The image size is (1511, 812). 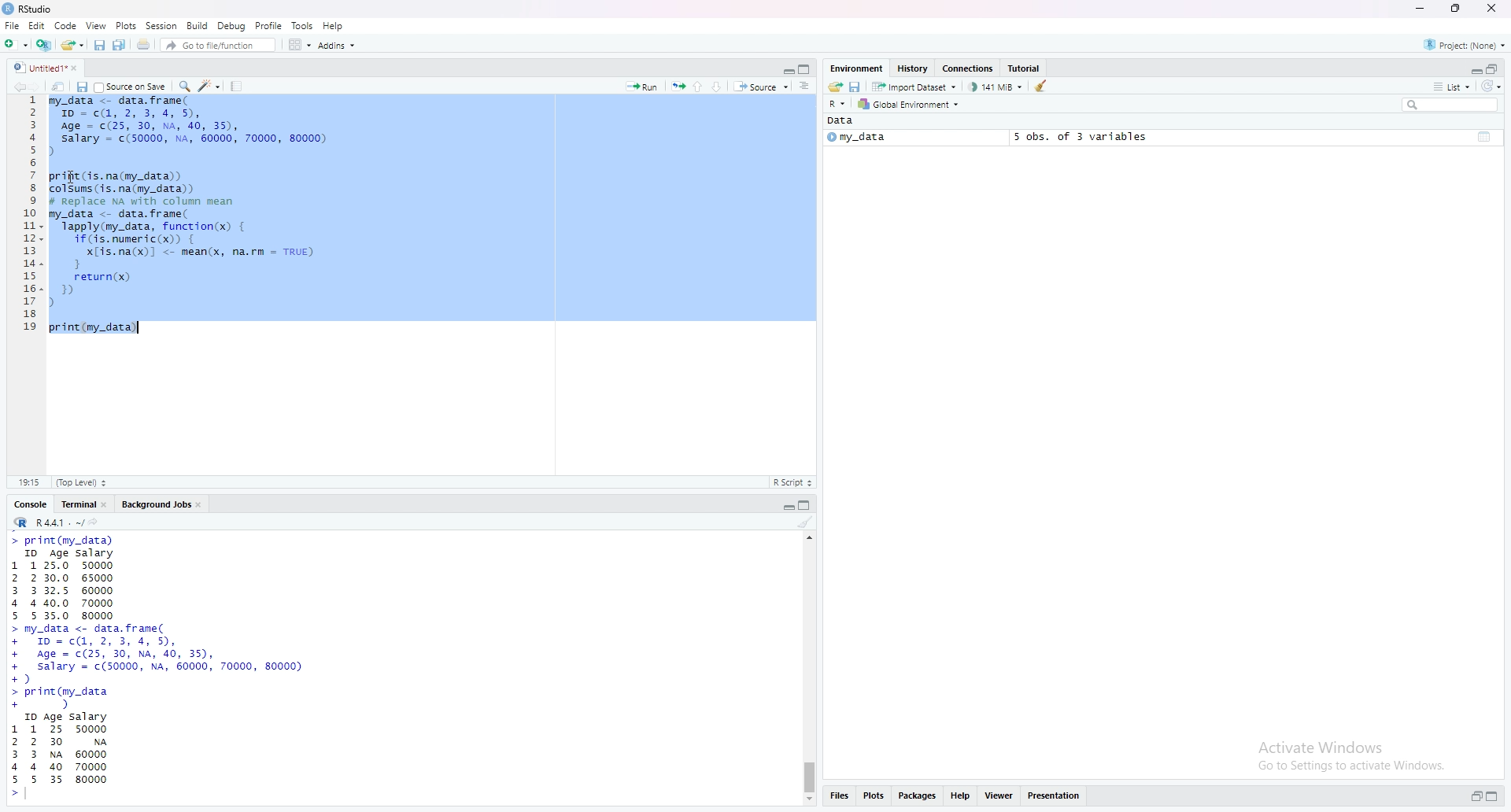 I want to click on help, so click(x=961, y=795).